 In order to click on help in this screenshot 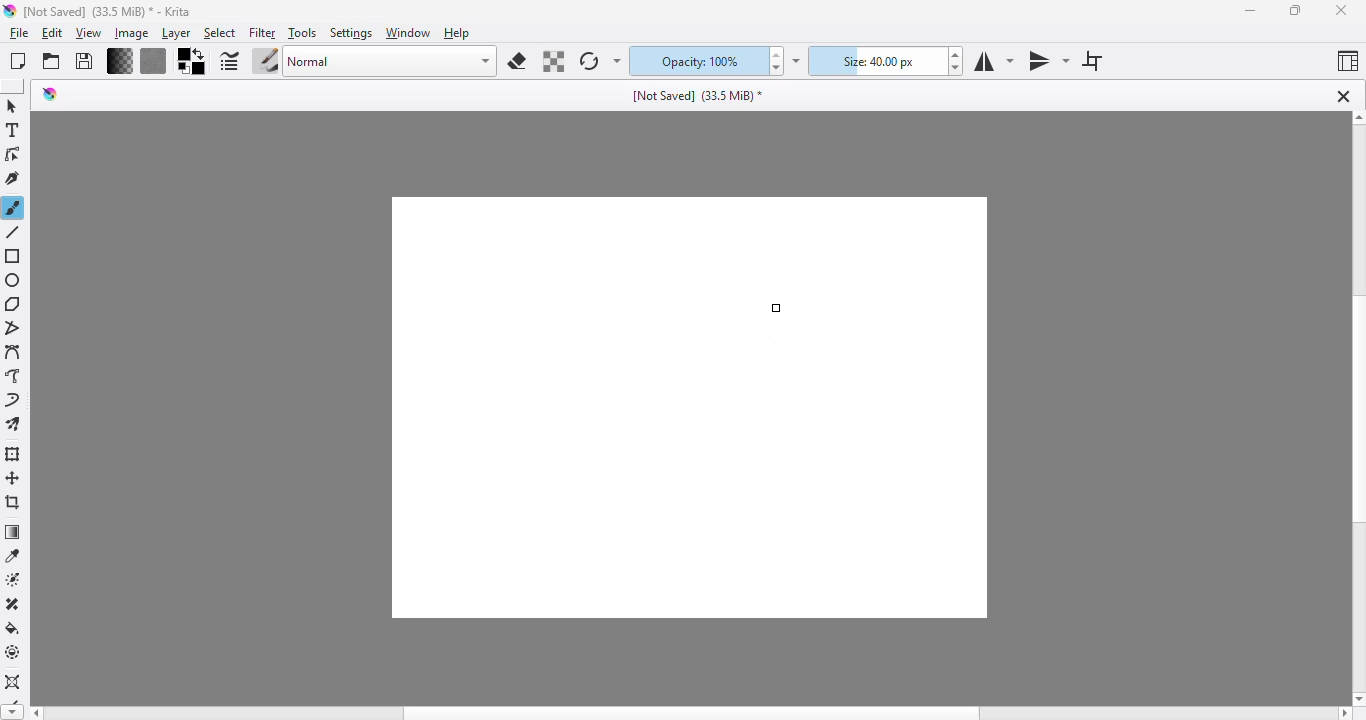, I will do `click(456, 33)`.